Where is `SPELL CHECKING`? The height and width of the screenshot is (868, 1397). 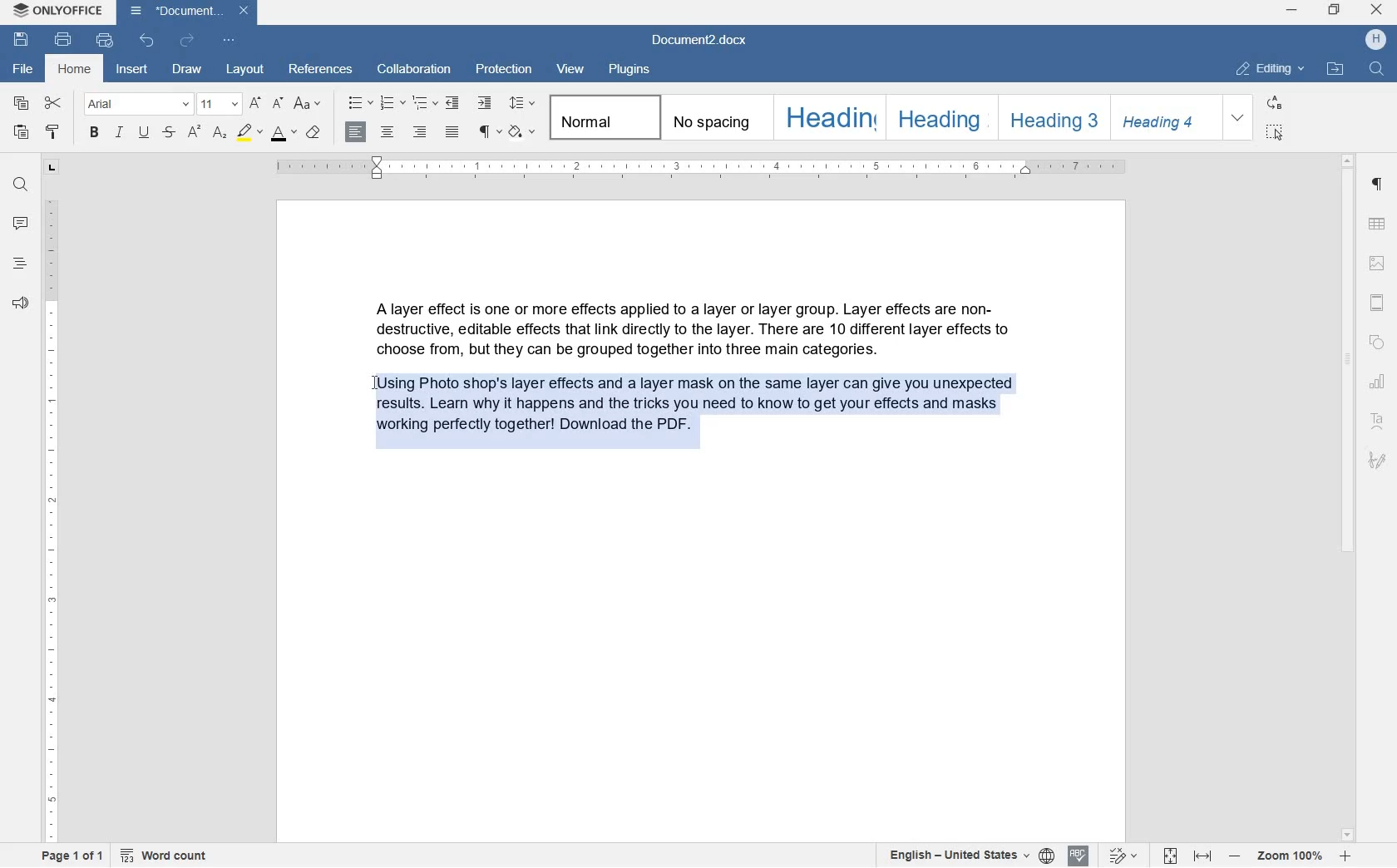 SPELL CHECKING is located at coordinates (1079, 856).